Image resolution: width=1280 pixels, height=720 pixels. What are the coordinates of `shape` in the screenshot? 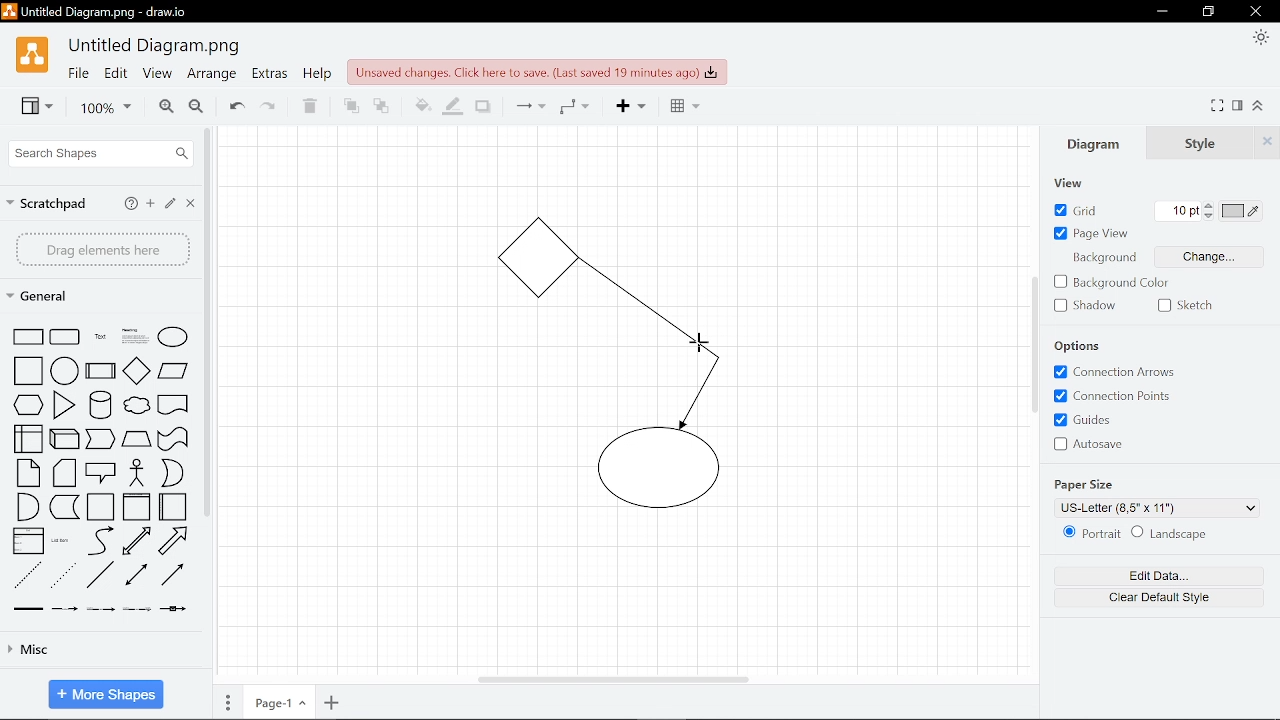 It's located at (102, 371).